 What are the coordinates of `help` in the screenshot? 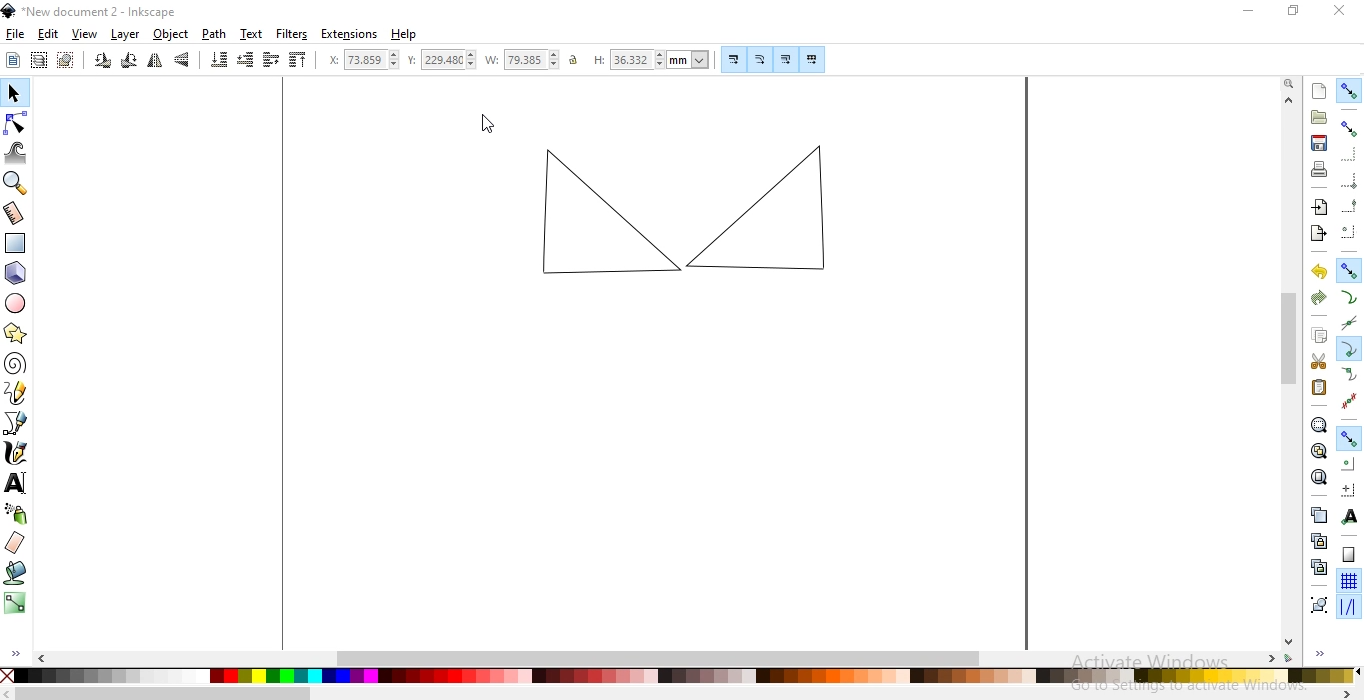 It's located at (407, 35).